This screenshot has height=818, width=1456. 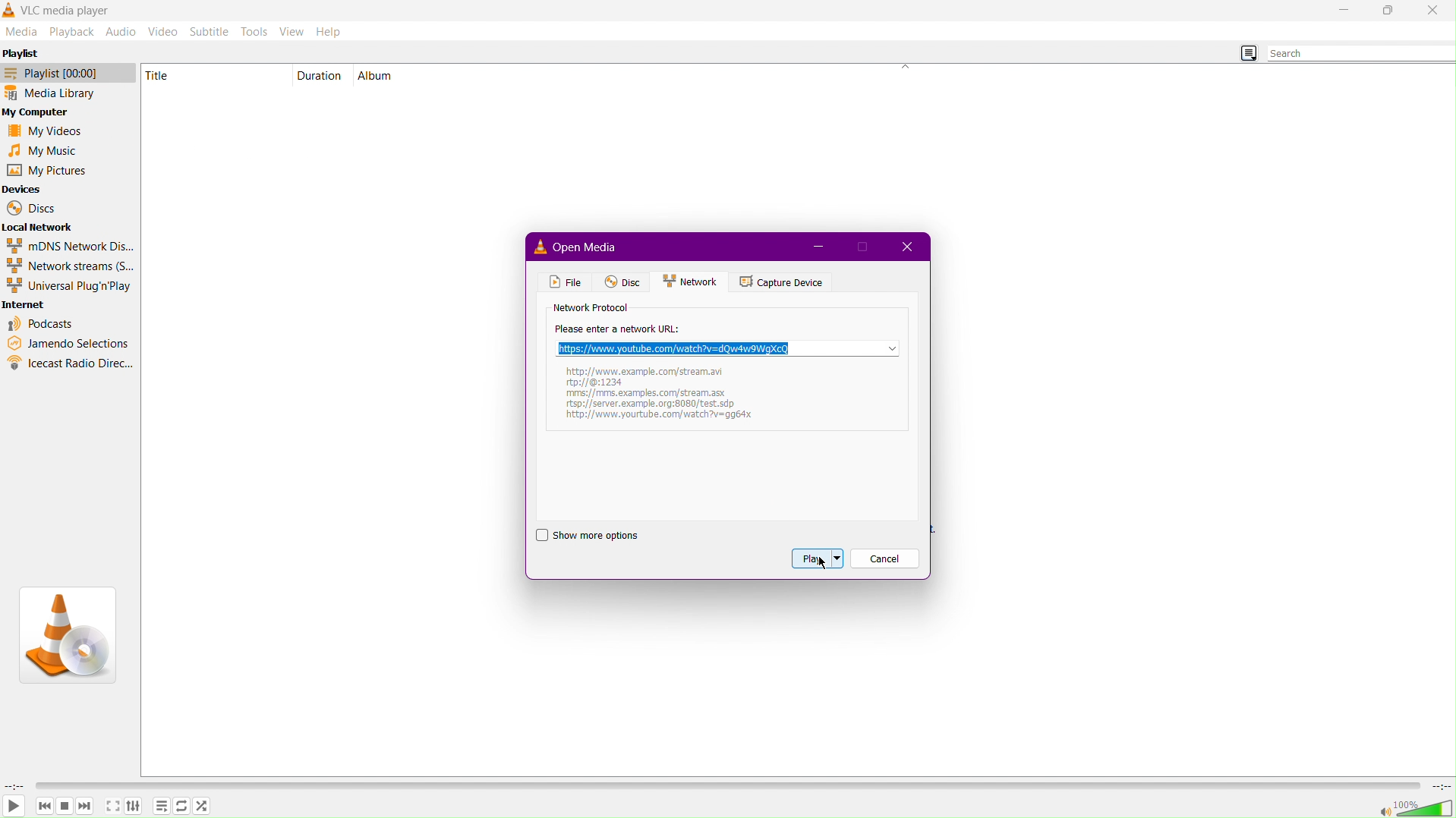 What do you see at coordinates (73, 32) in the screenshot?
I see `Playback` at bounding box center [73, 32].